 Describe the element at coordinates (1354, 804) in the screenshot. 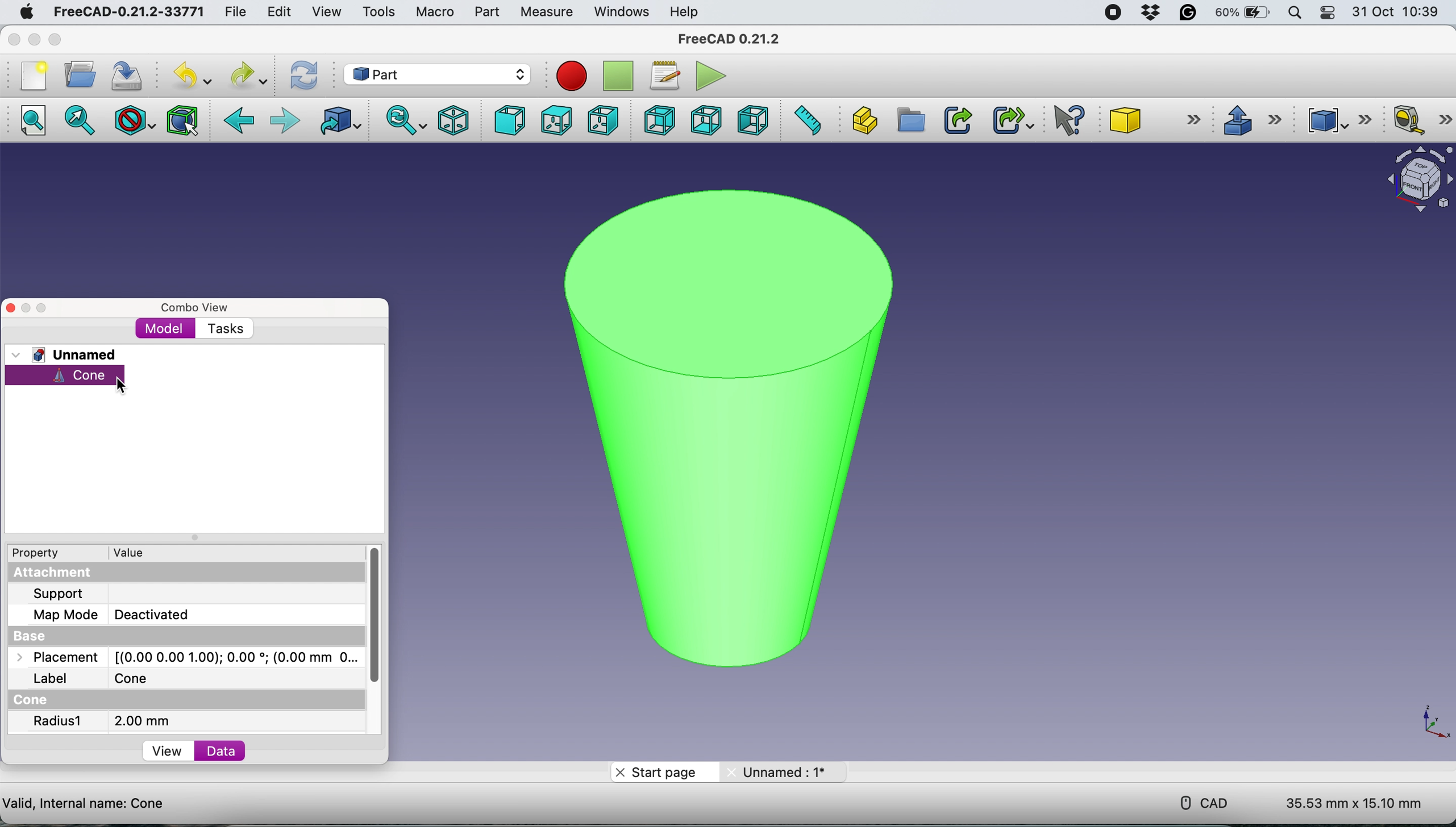

I see `35.53 mm x 15.10 mm` at that location.